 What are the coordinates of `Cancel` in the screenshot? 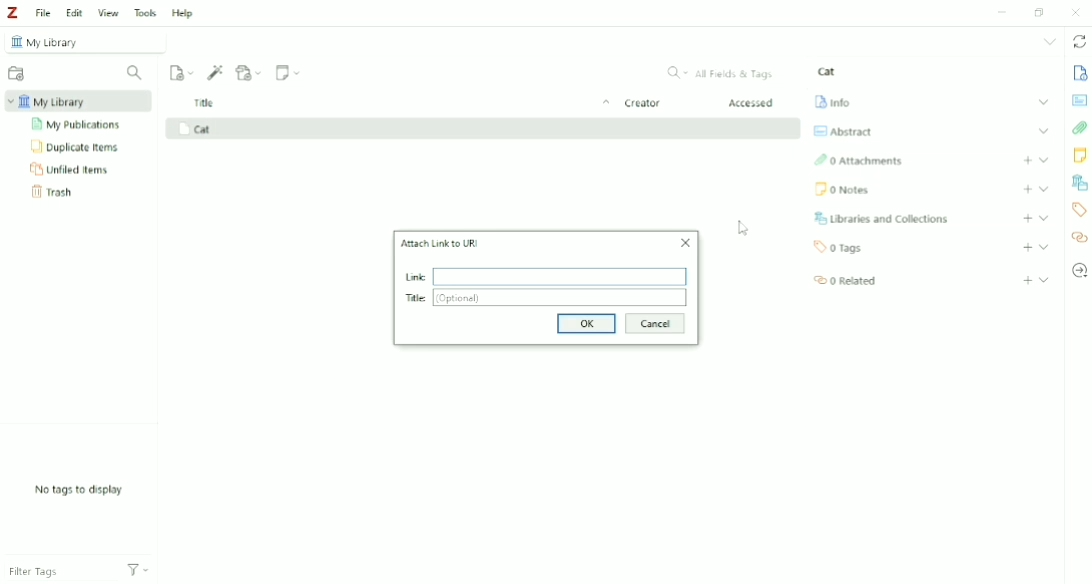 It's located at (654, 324).